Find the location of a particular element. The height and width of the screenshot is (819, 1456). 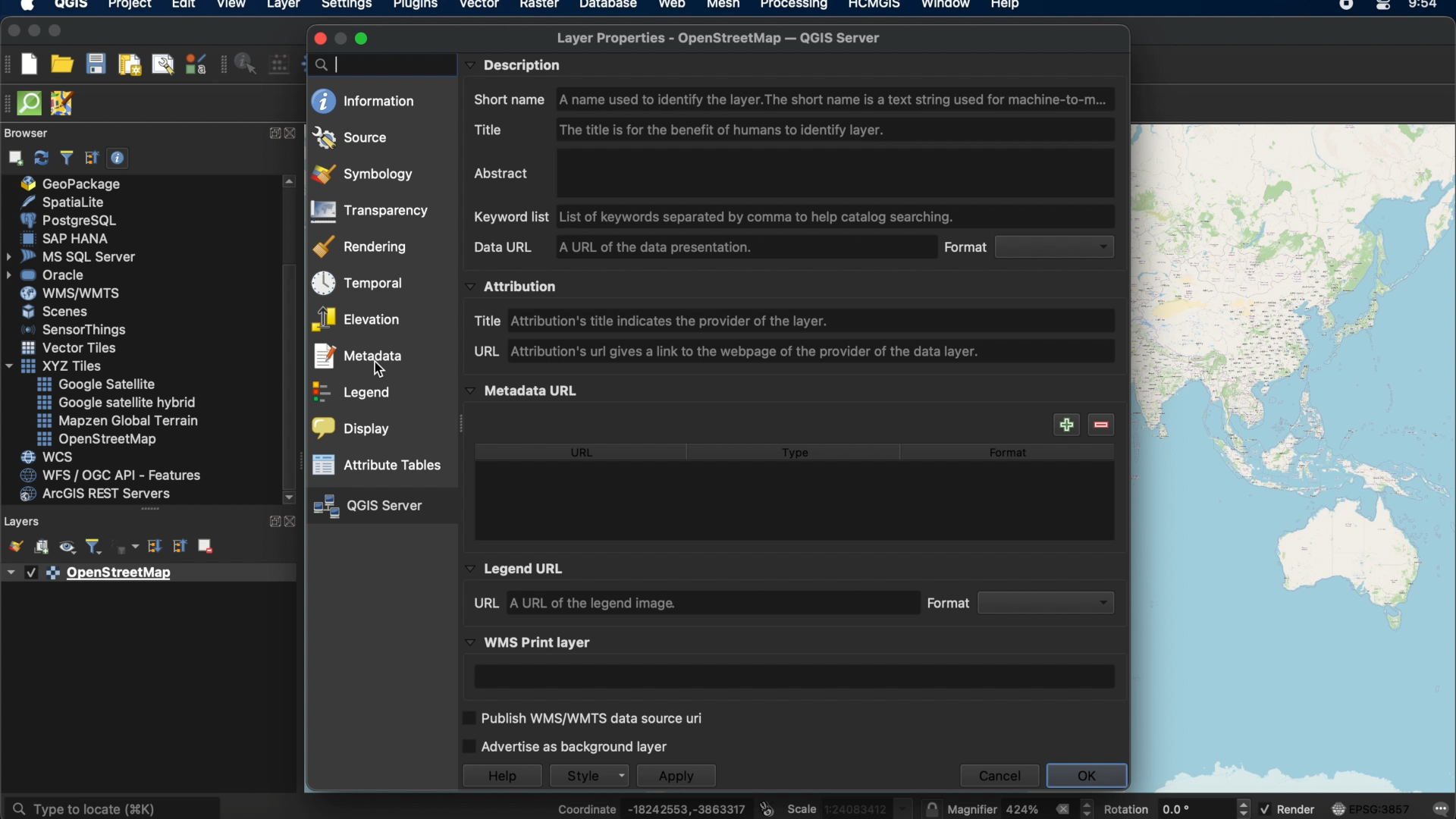

format is located at coordinates (1021, 603).